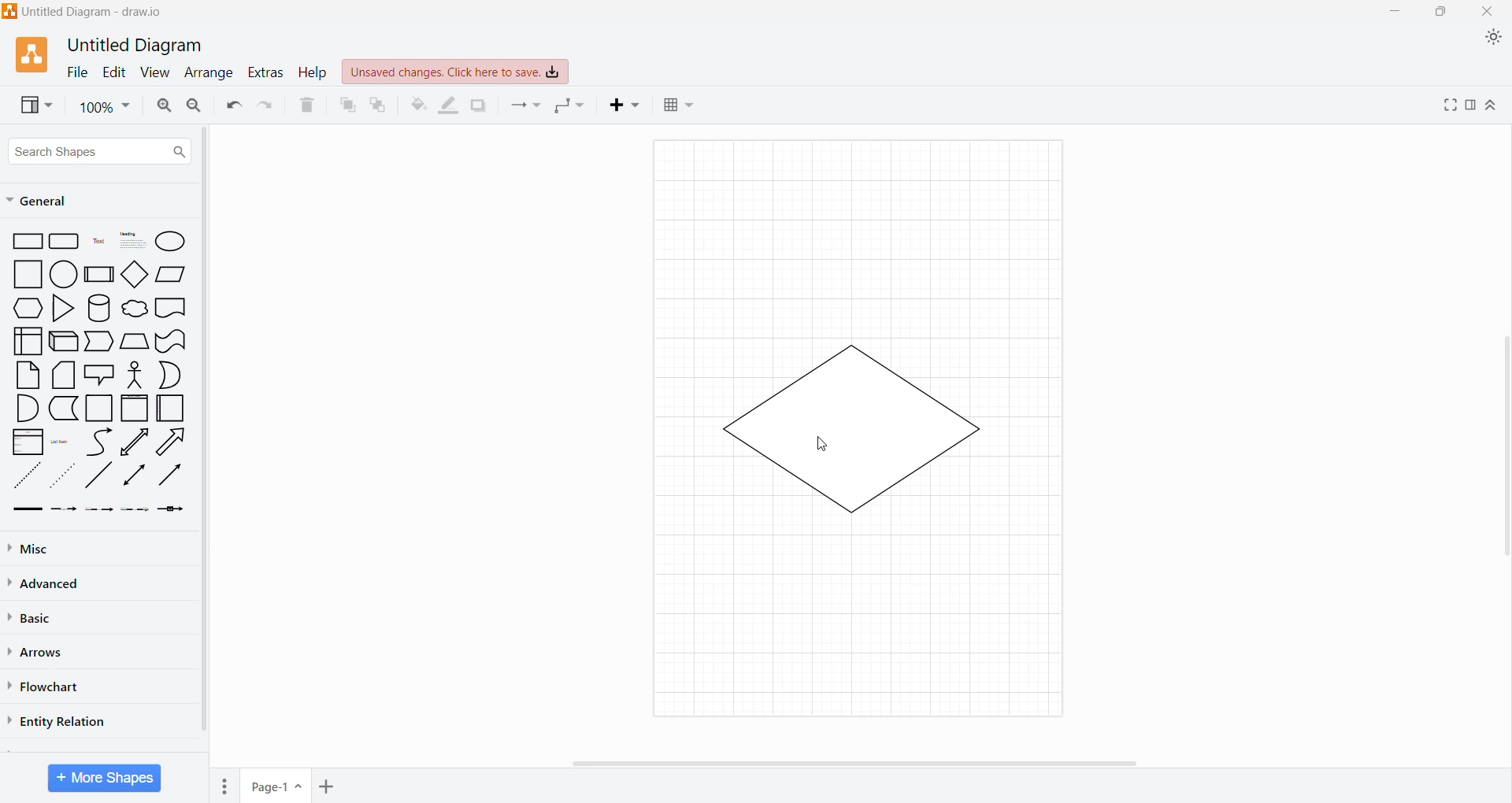 Image resolution: width=1512 pixels, height=803 pixels. Describe the element at coordinates (265, 72) in the screenshot. I see `Extras` at that location.